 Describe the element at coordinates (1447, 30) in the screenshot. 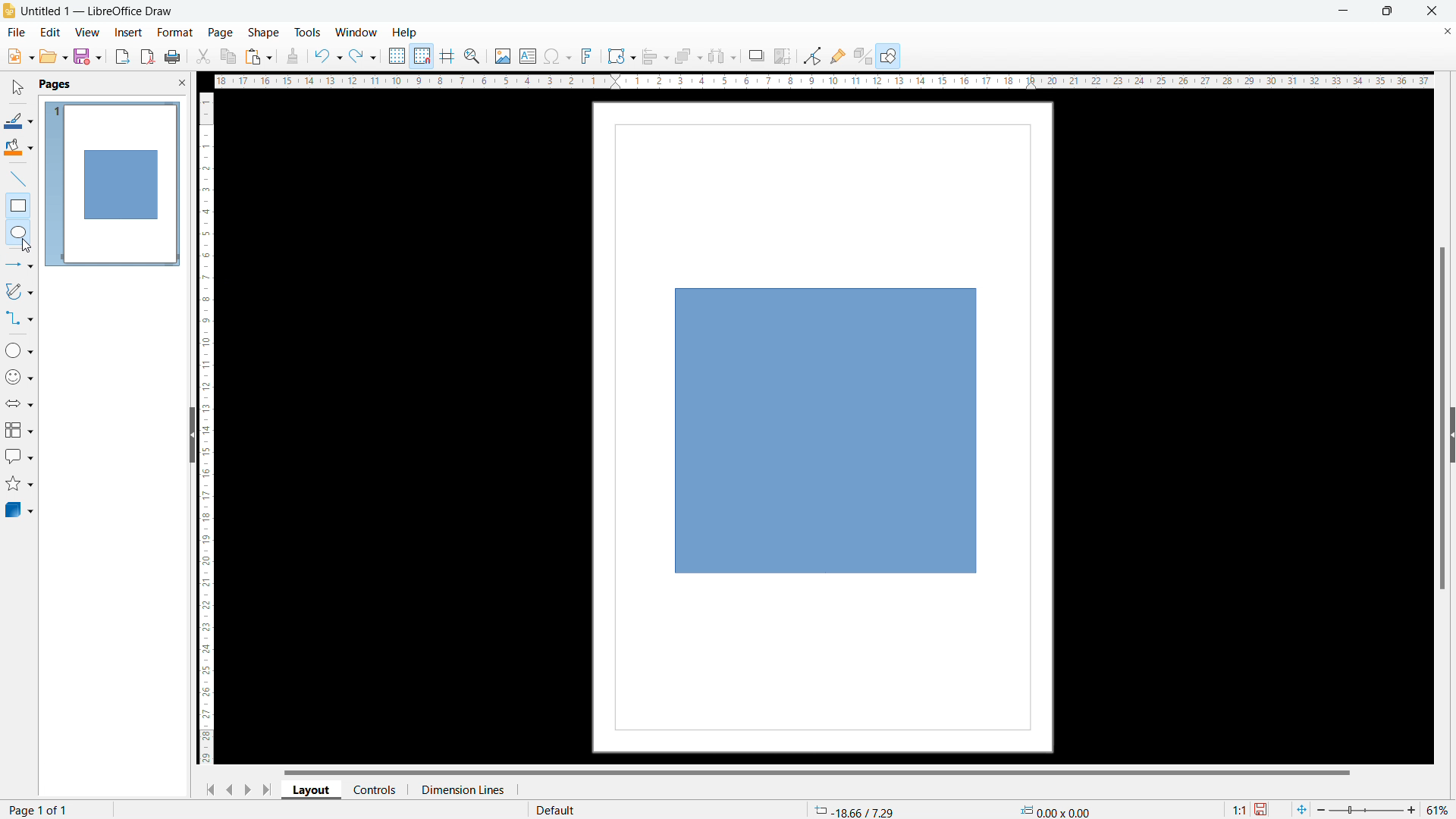

I see `close document` at that location.